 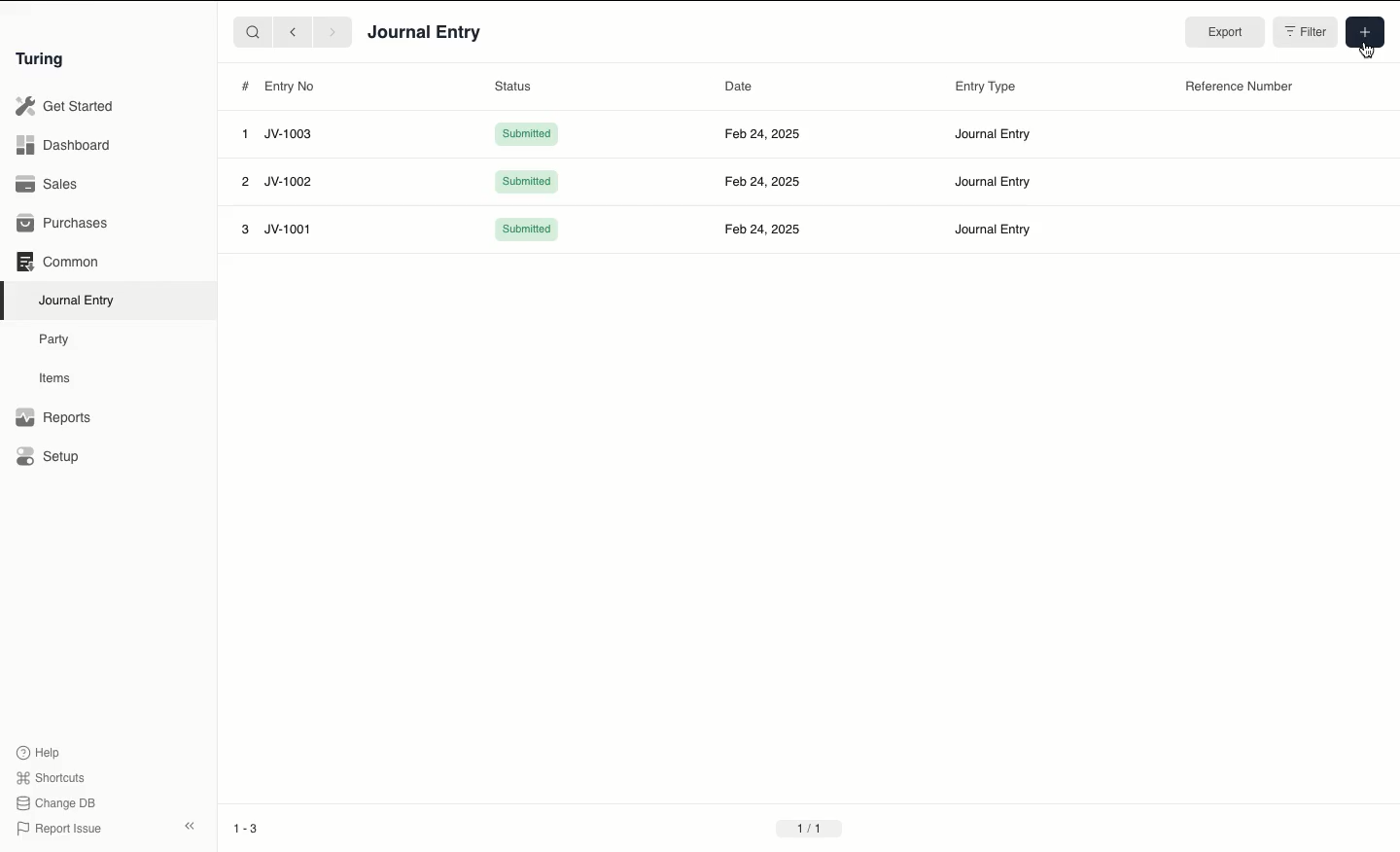 I want to click on Status, so click(x=515, y=86).